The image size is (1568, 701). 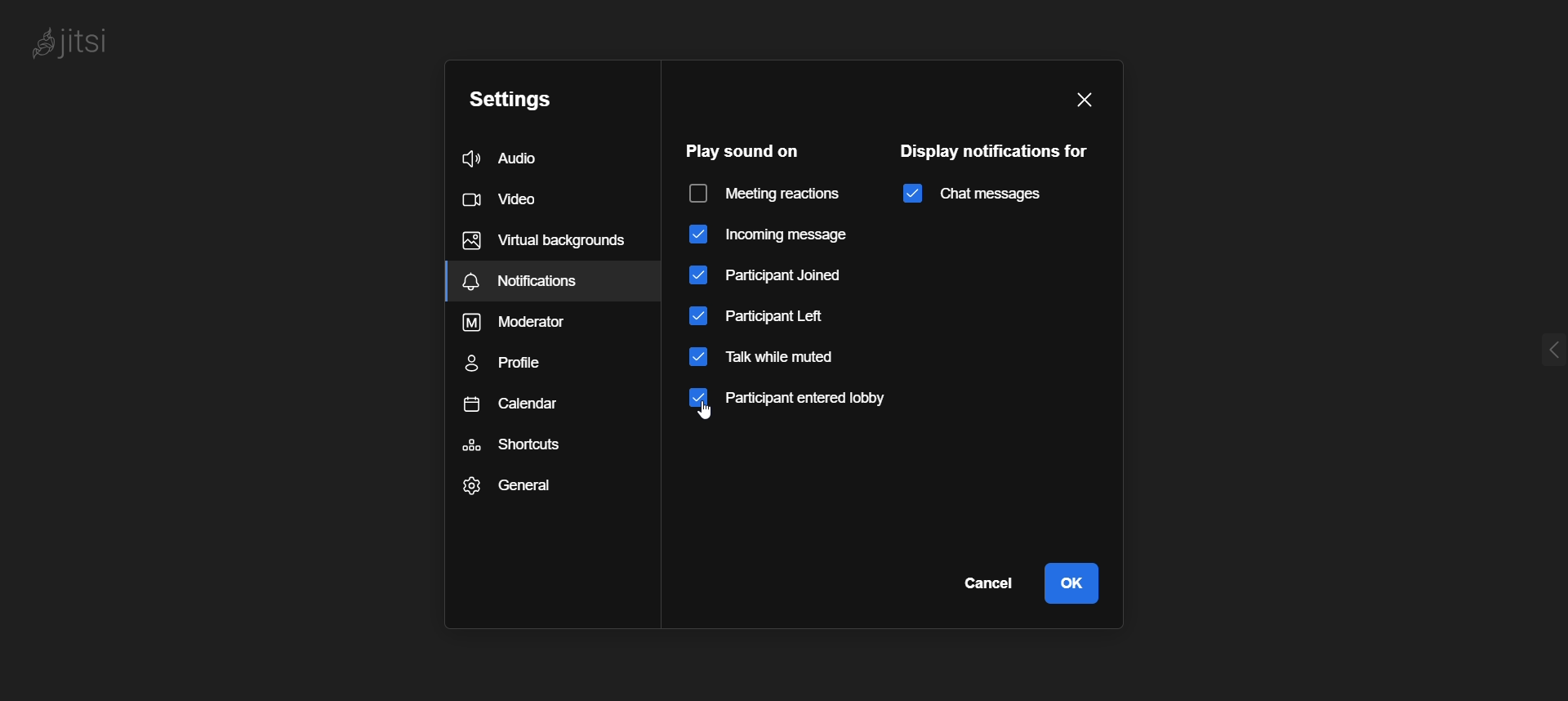 I want to click on jitsi, so click(x=73, y=42).